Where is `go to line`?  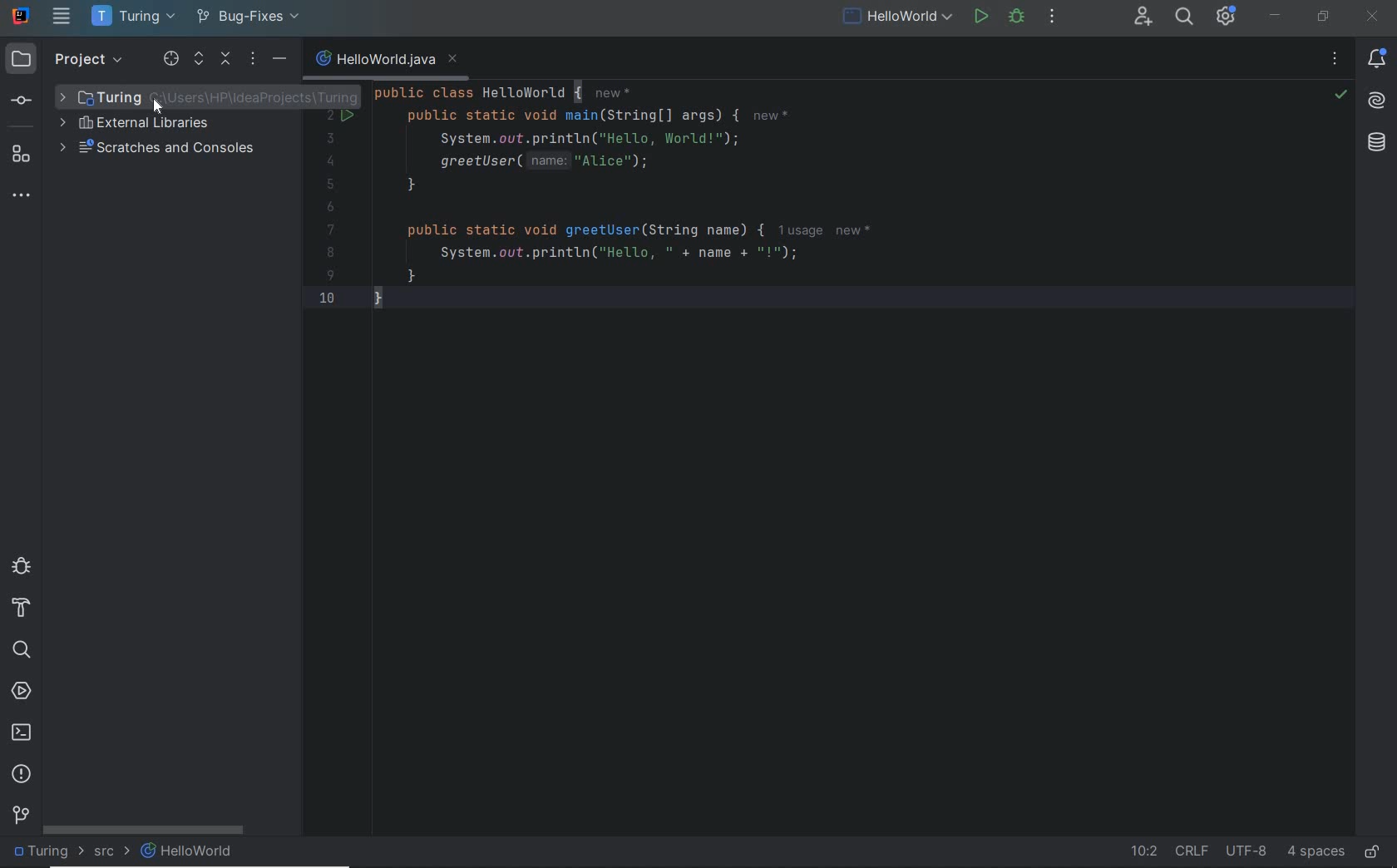 go to line is located at coordinates (1145, 850).